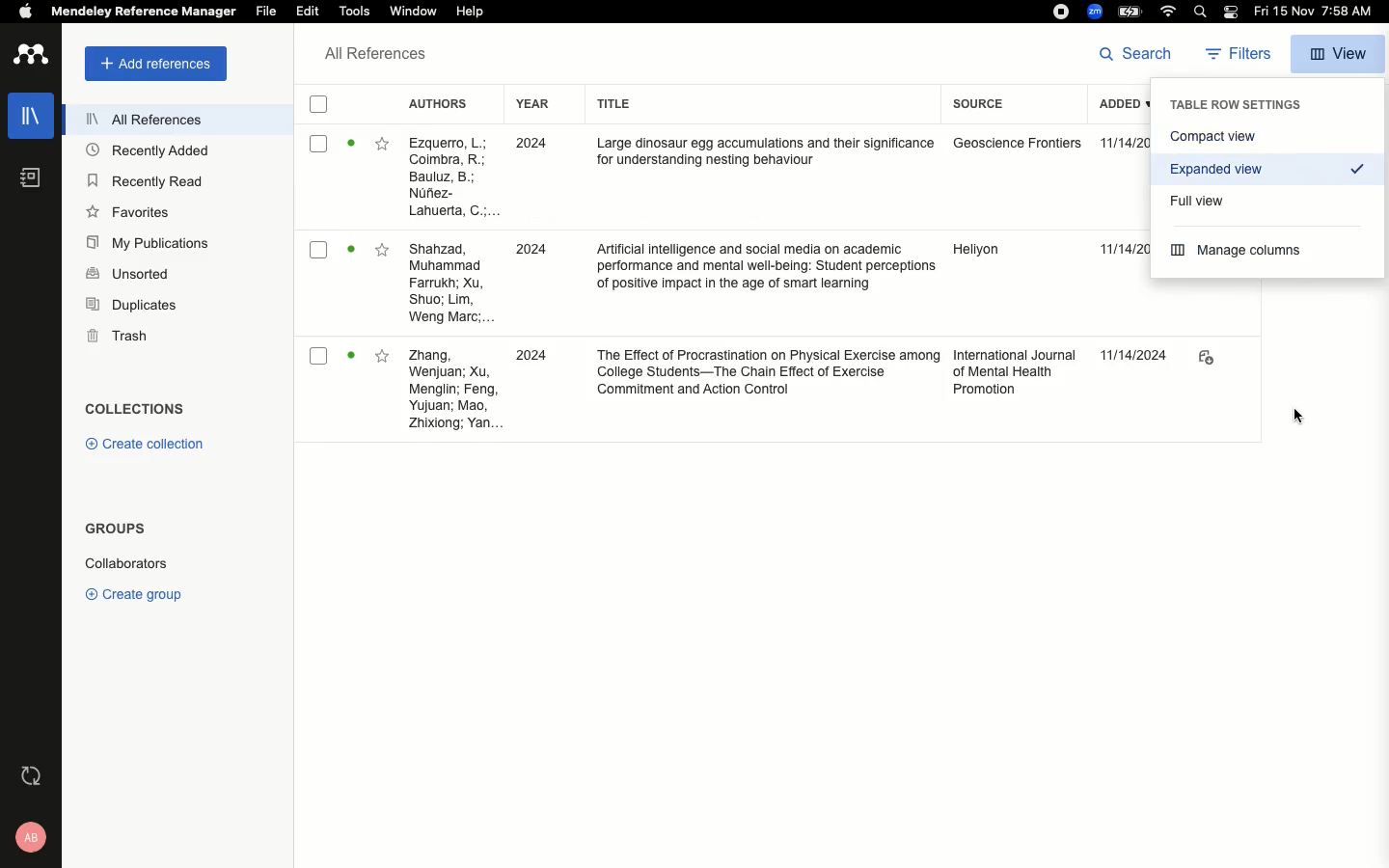 This screenshot has width=1389, height=868. I want to click on Charge, so click(1130, 12).